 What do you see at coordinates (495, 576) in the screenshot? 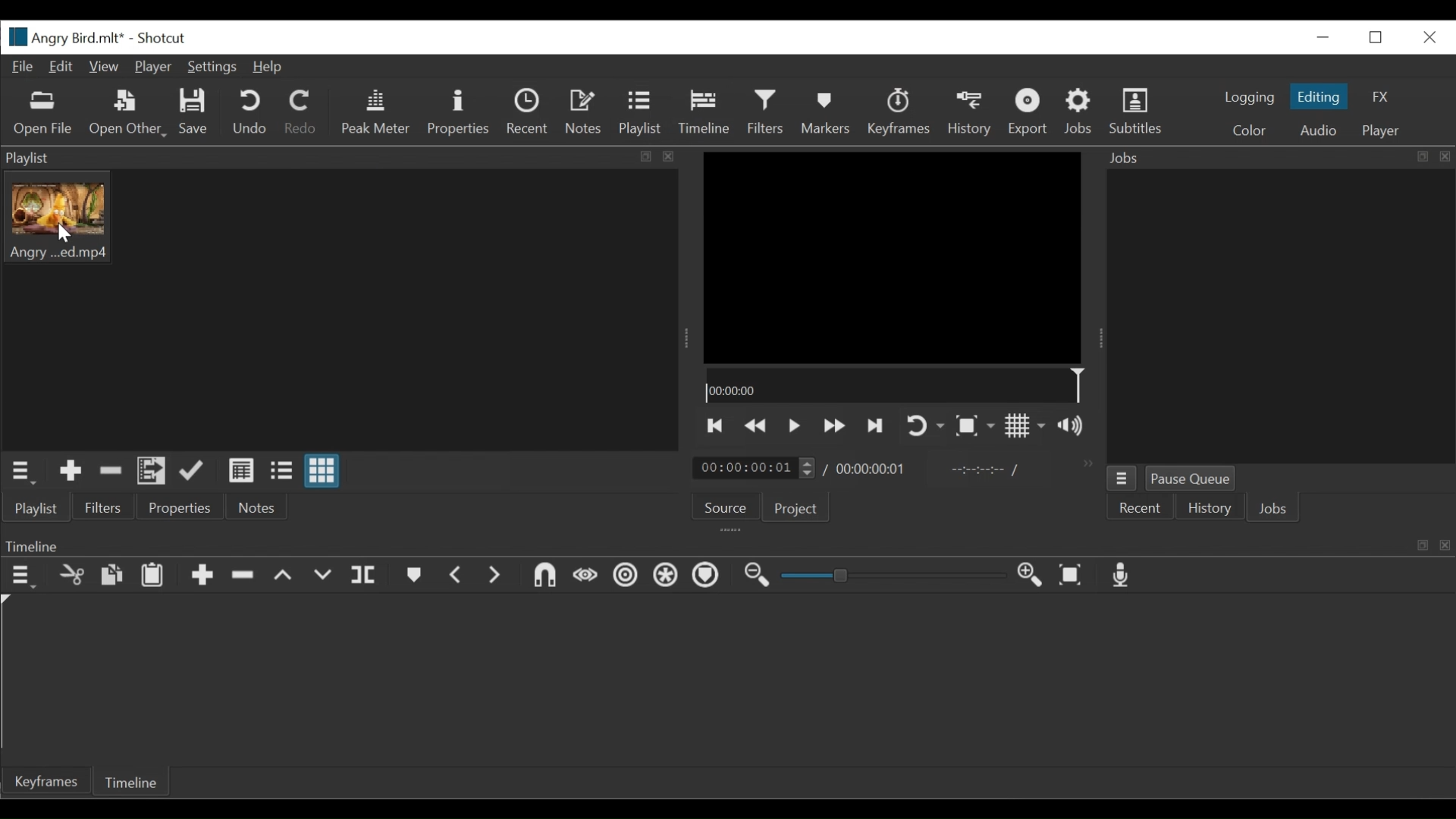
I see `Next Marker` at bounding box center [495, 576].